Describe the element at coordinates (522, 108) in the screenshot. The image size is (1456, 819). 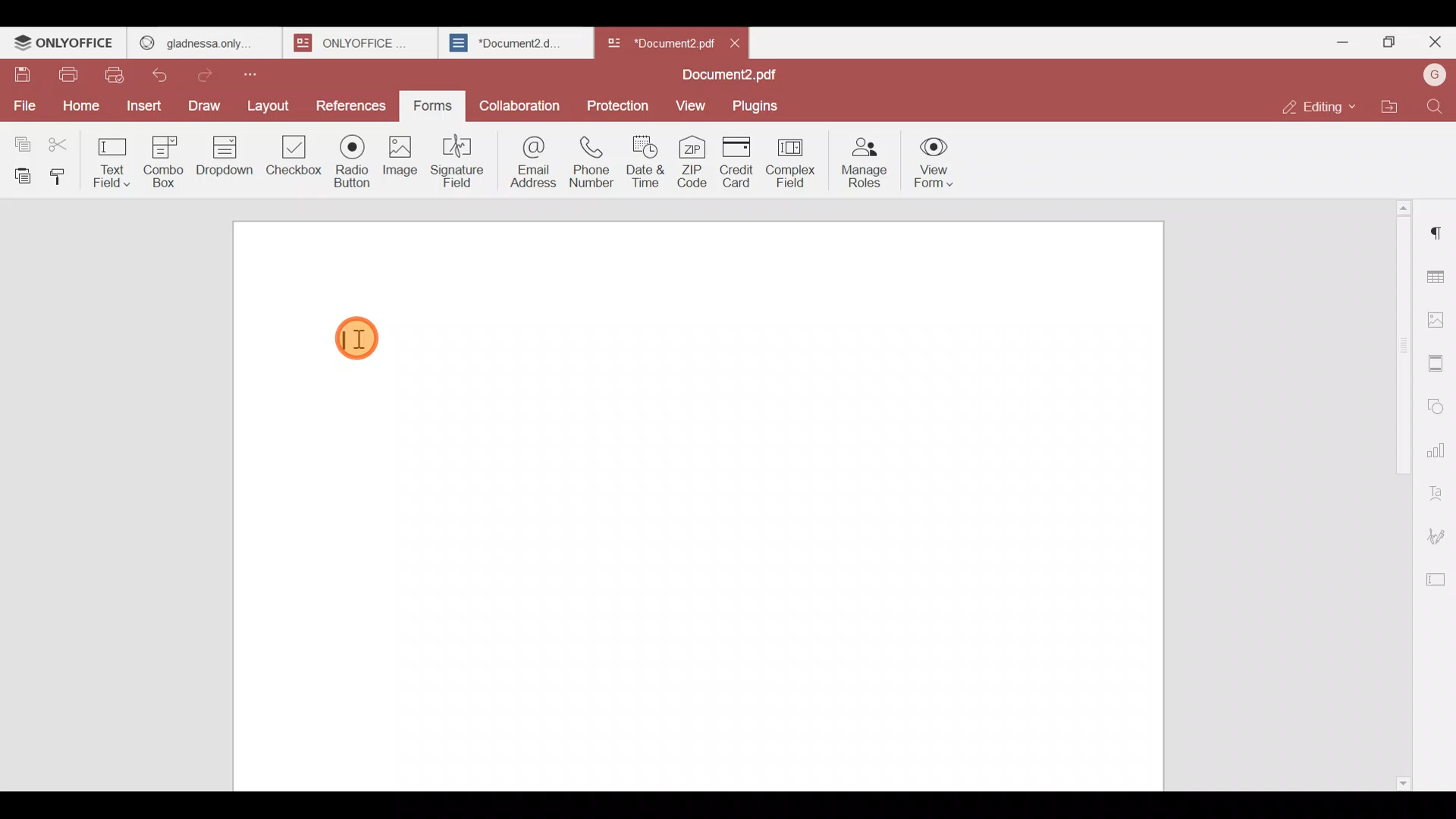
I see `Collaboration` at that location.